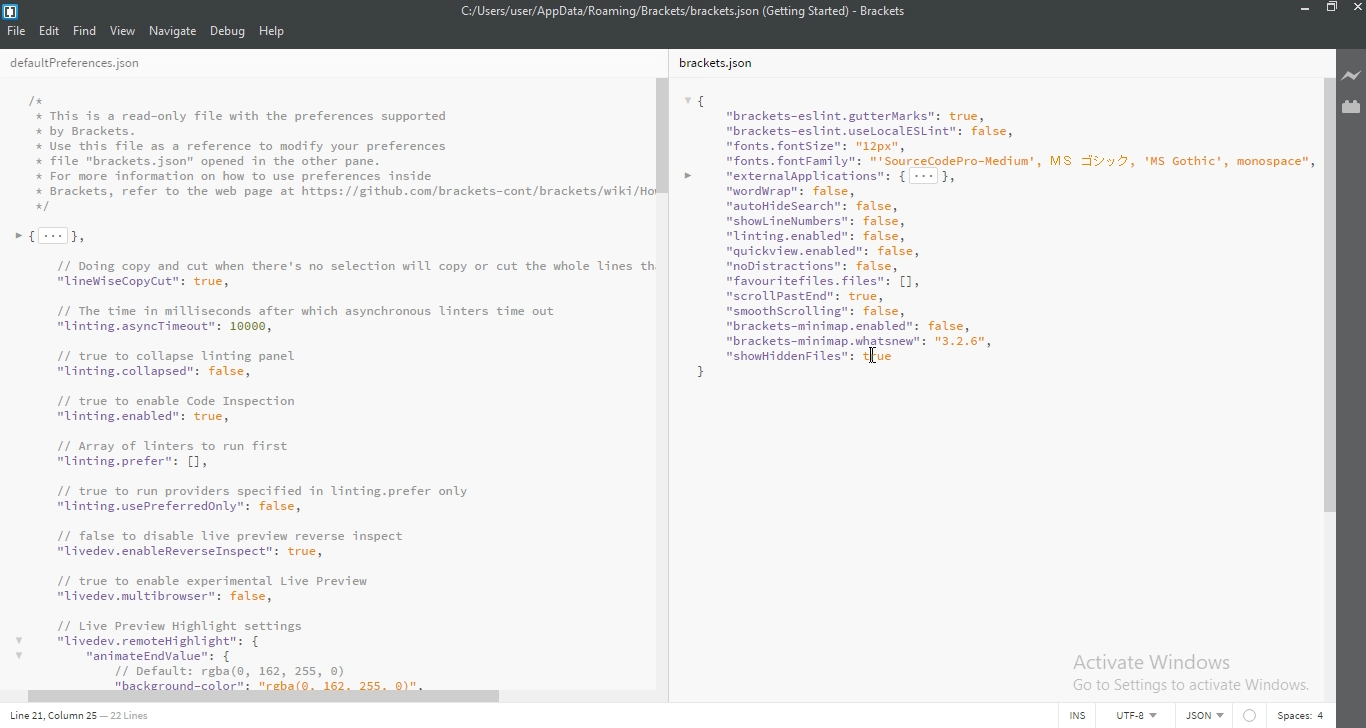 The height and width of the screenshot is (728, 1366). Describe the element at coordinates (84, 31) in the screenshot. I see `Find` at that location.